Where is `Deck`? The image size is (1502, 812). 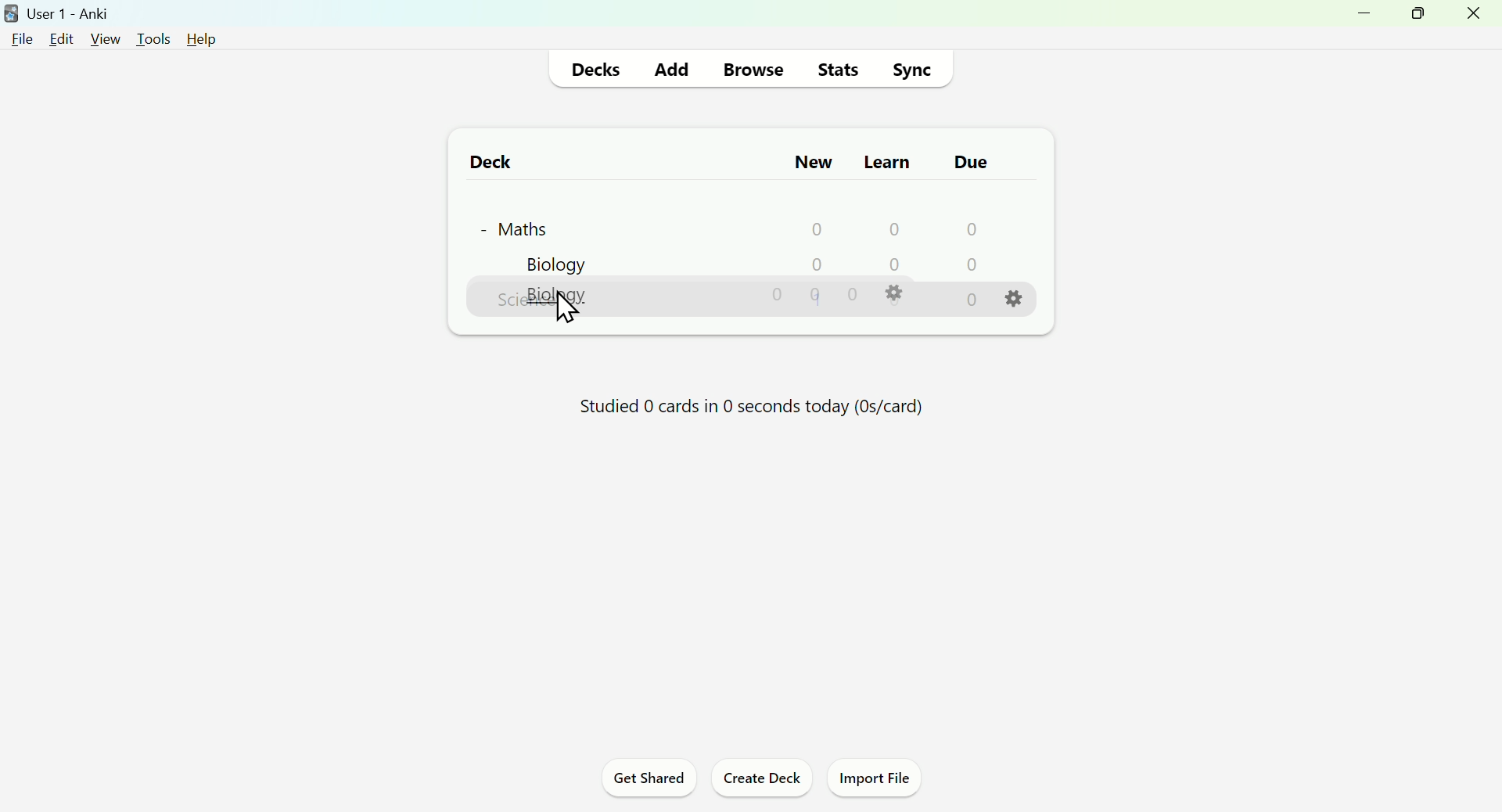
Deck is located at coordinates (490, 164).